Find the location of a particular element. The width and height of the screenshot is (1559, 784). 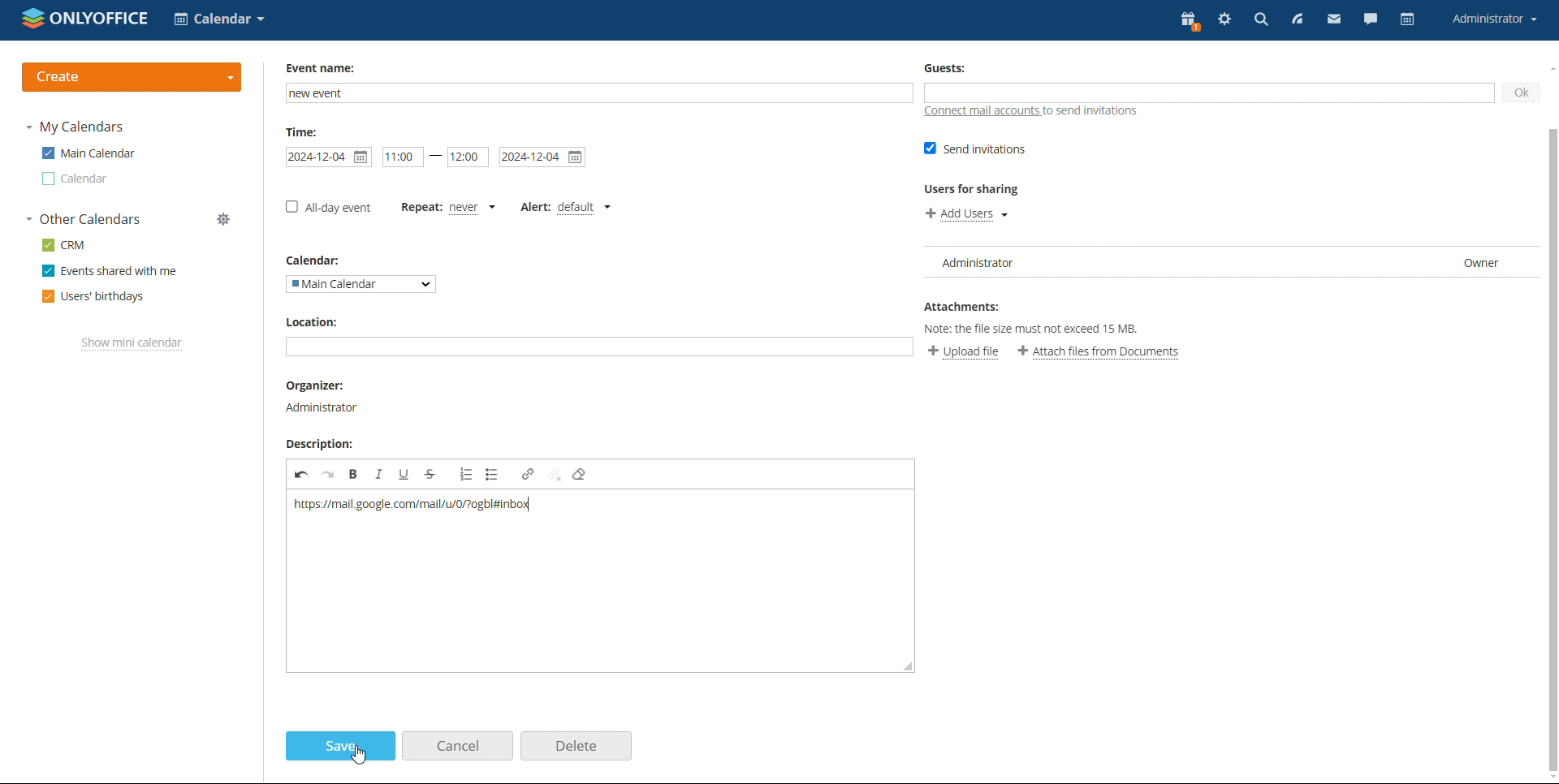

strikethrough is located at coordinates (432, 476).